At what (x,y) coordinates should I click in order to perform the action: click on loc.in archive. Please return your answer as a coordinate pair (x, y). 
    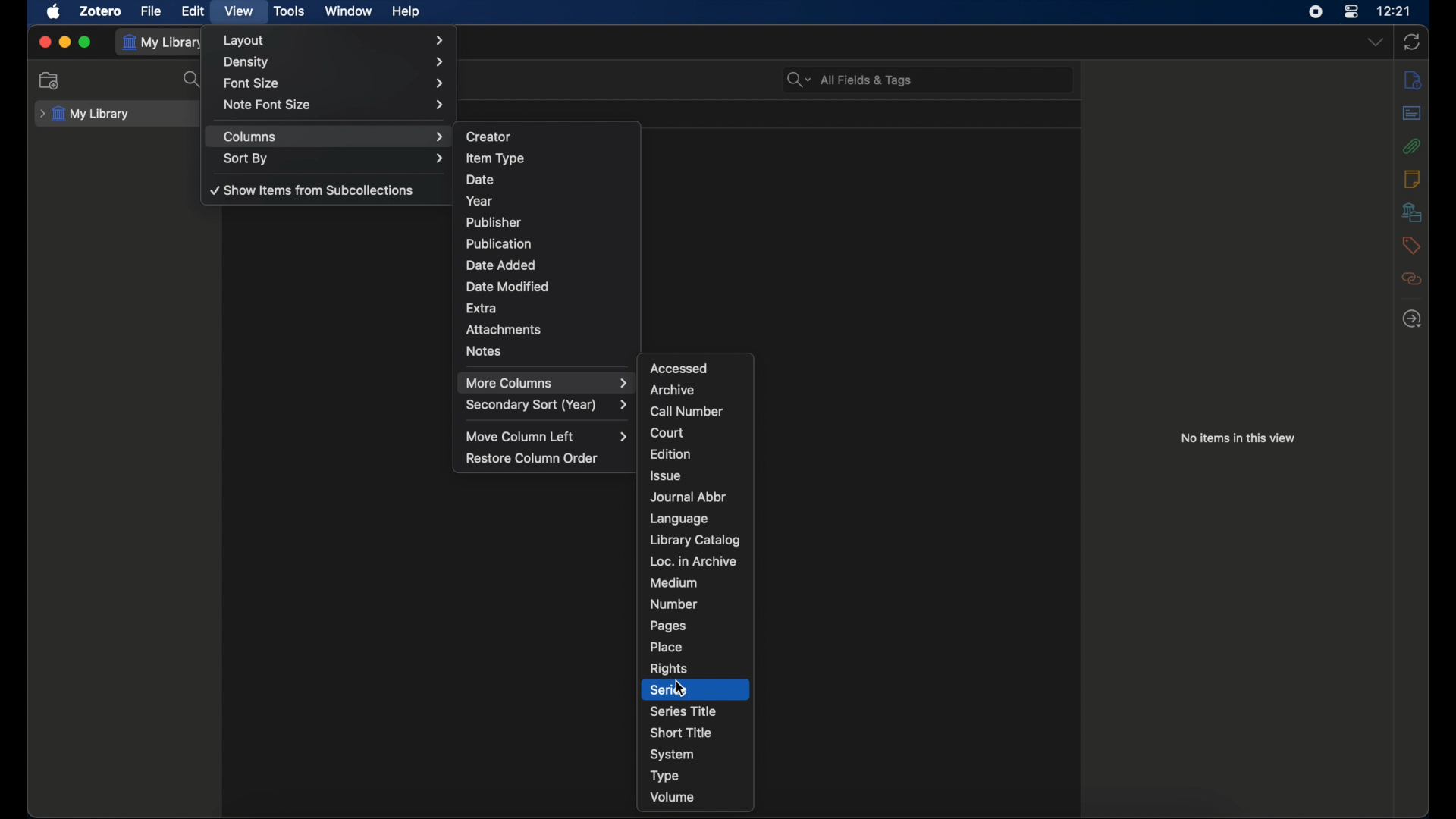
    Looking at the image, I should click on (692, 561).